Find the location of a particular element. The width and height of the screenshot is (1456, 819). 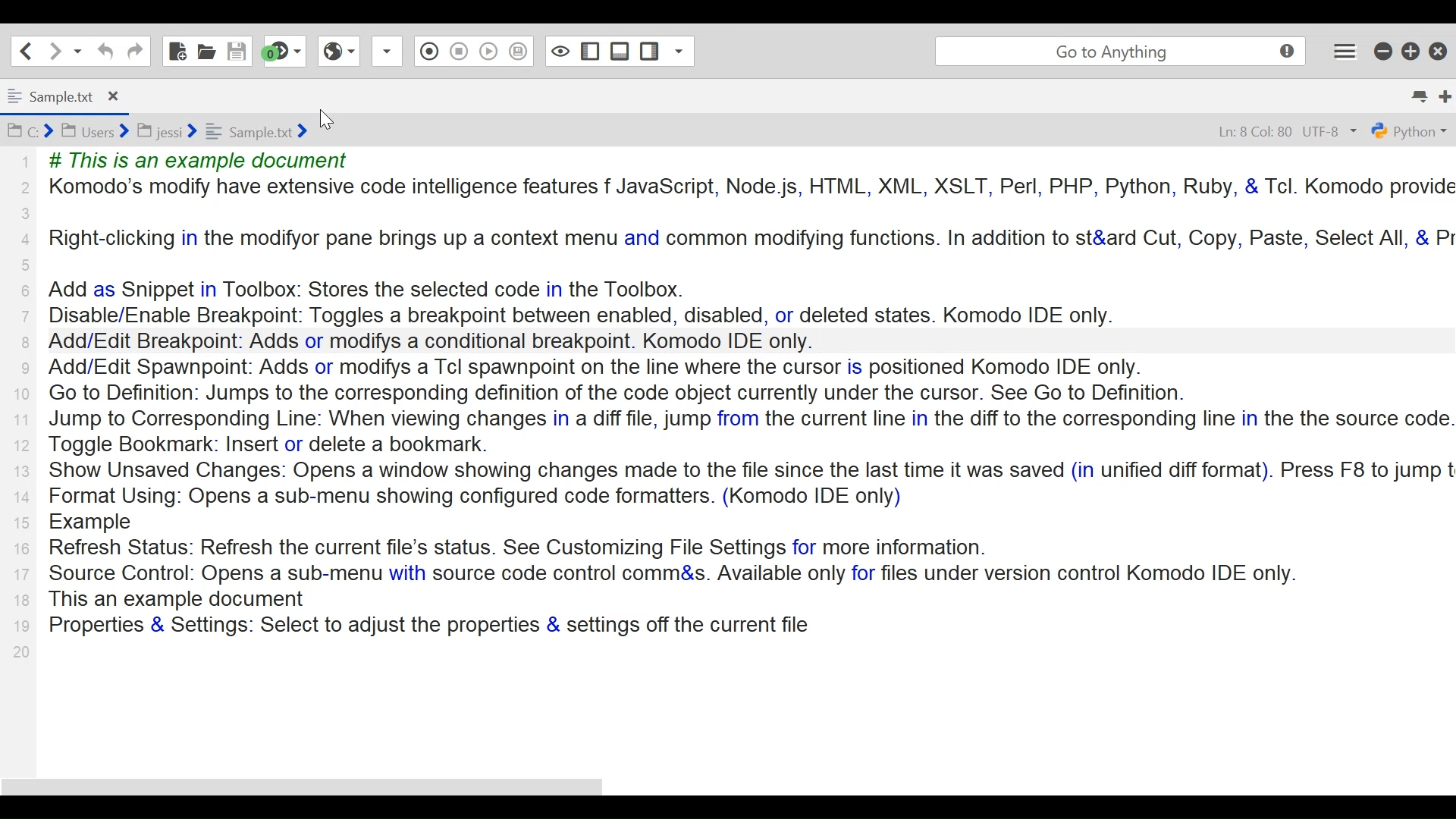

Close is located at coordinates (1439, 51).